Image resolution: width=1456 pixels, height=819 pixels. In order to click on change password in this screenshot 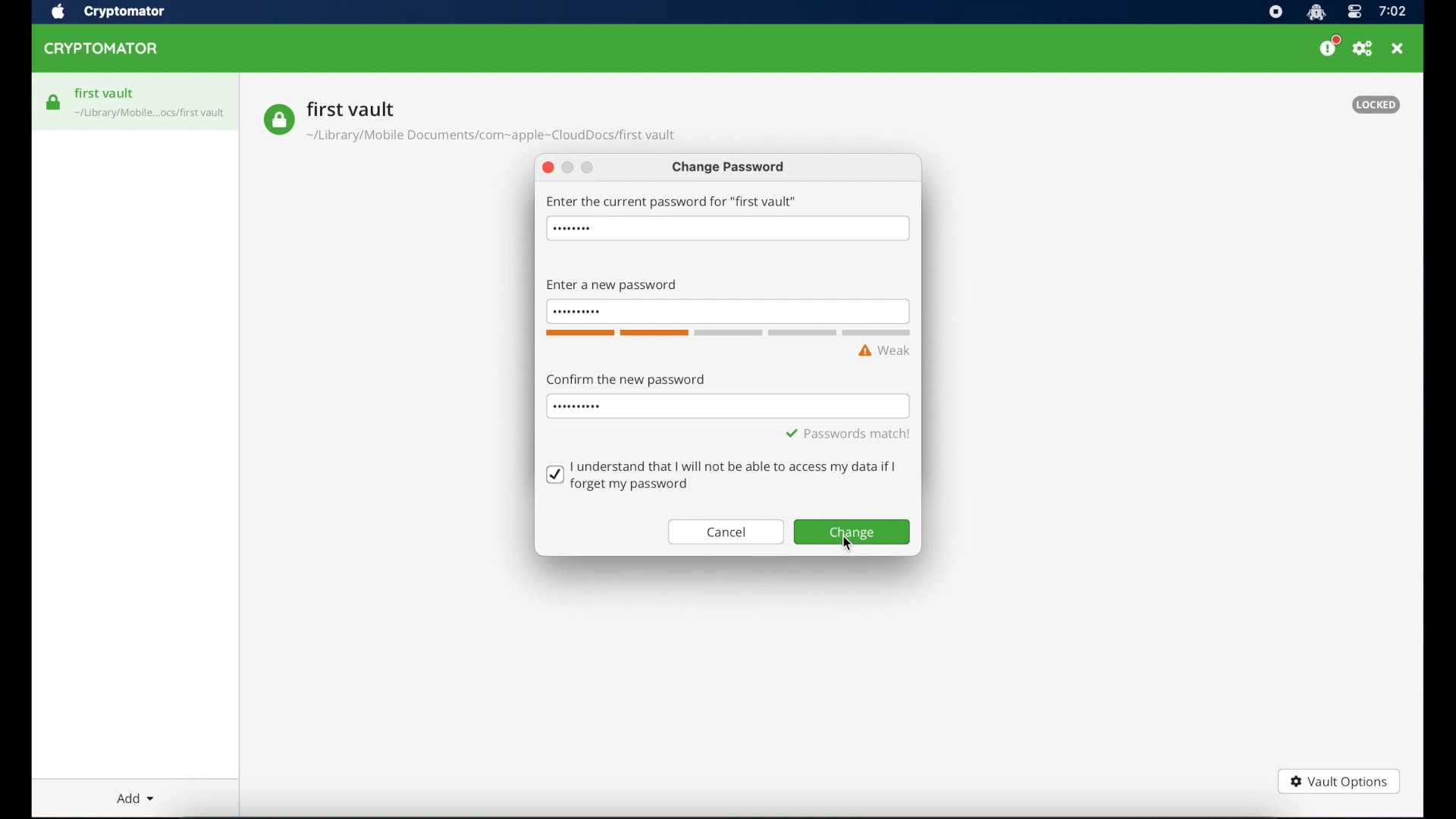, I will do `click(730, 168)`.